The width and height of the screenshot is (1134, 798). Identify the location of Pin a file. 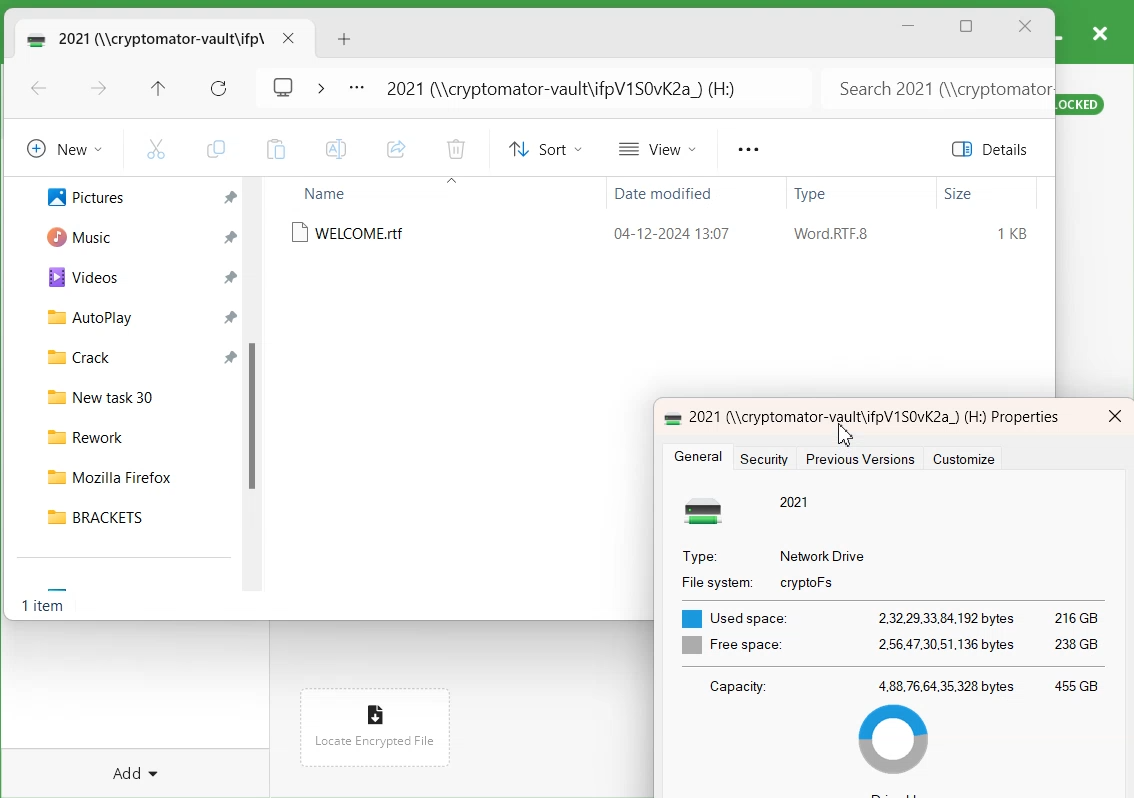
(232, 277).